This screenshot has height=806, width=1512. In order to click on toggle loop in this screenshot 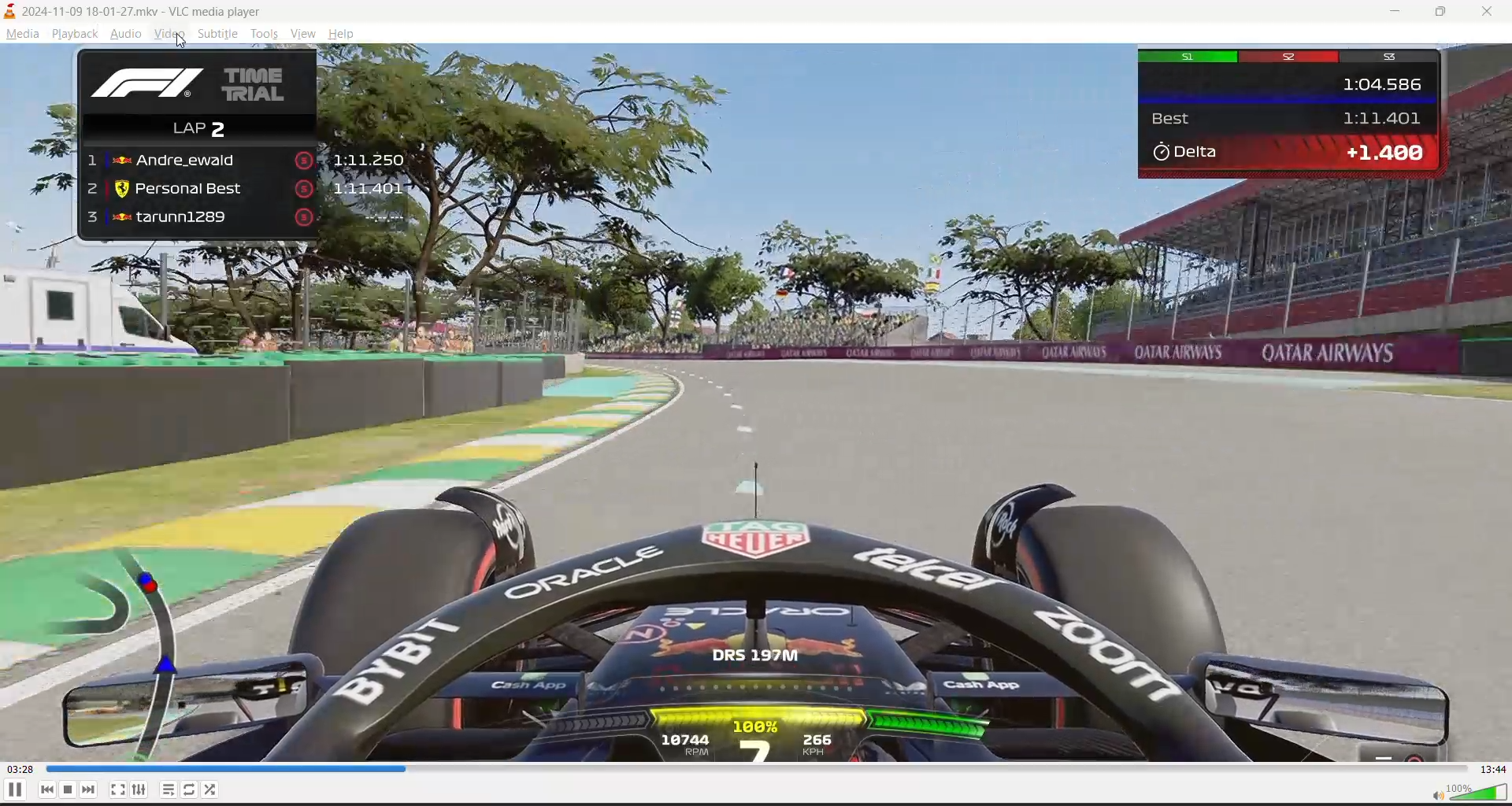, I will do `click(193, 792)`.